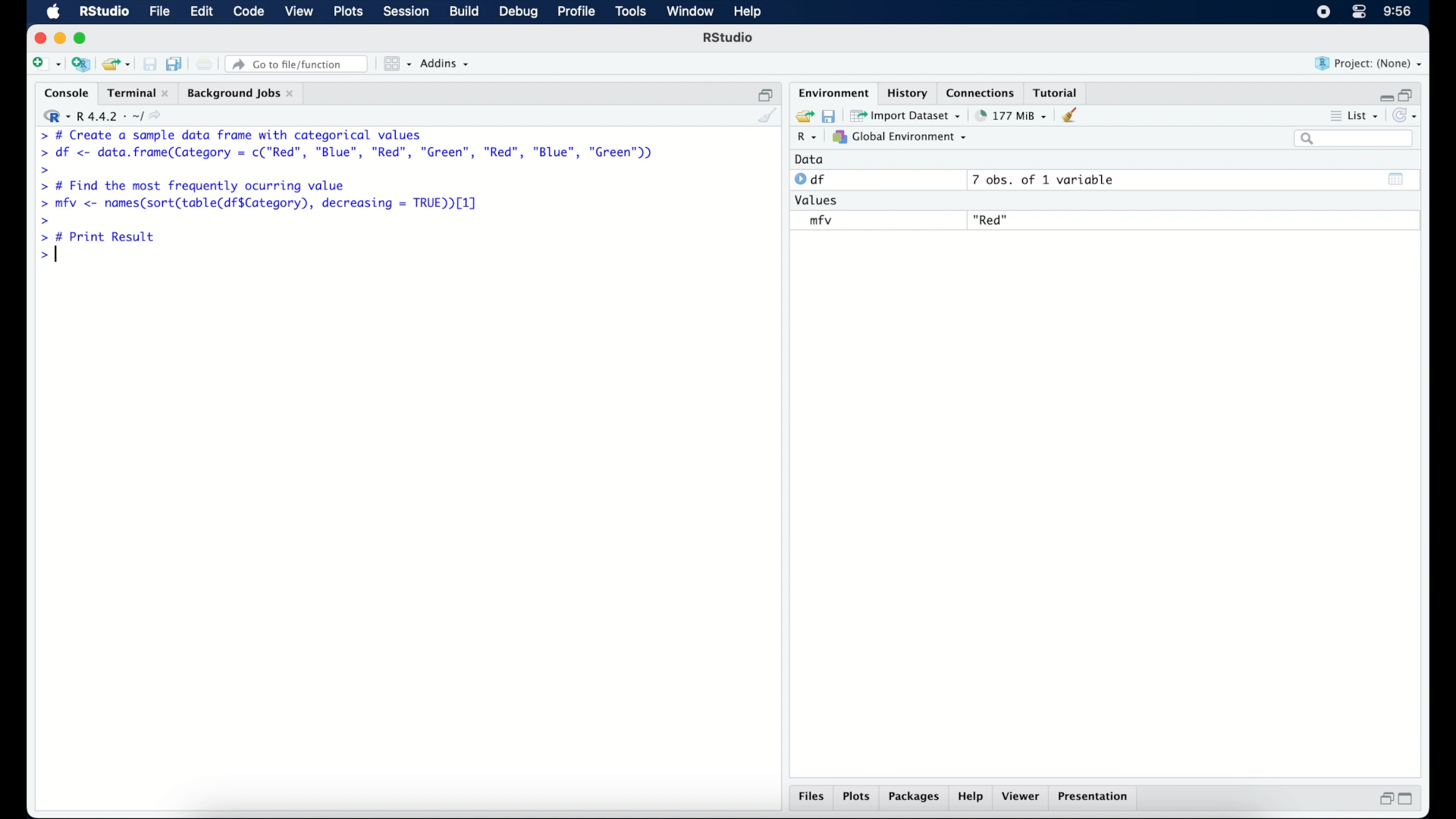 This screenshot has height=819, width=1456. Describe the element at coordinates (46, 256) in the screenshot. I see `command prompt` at that location.